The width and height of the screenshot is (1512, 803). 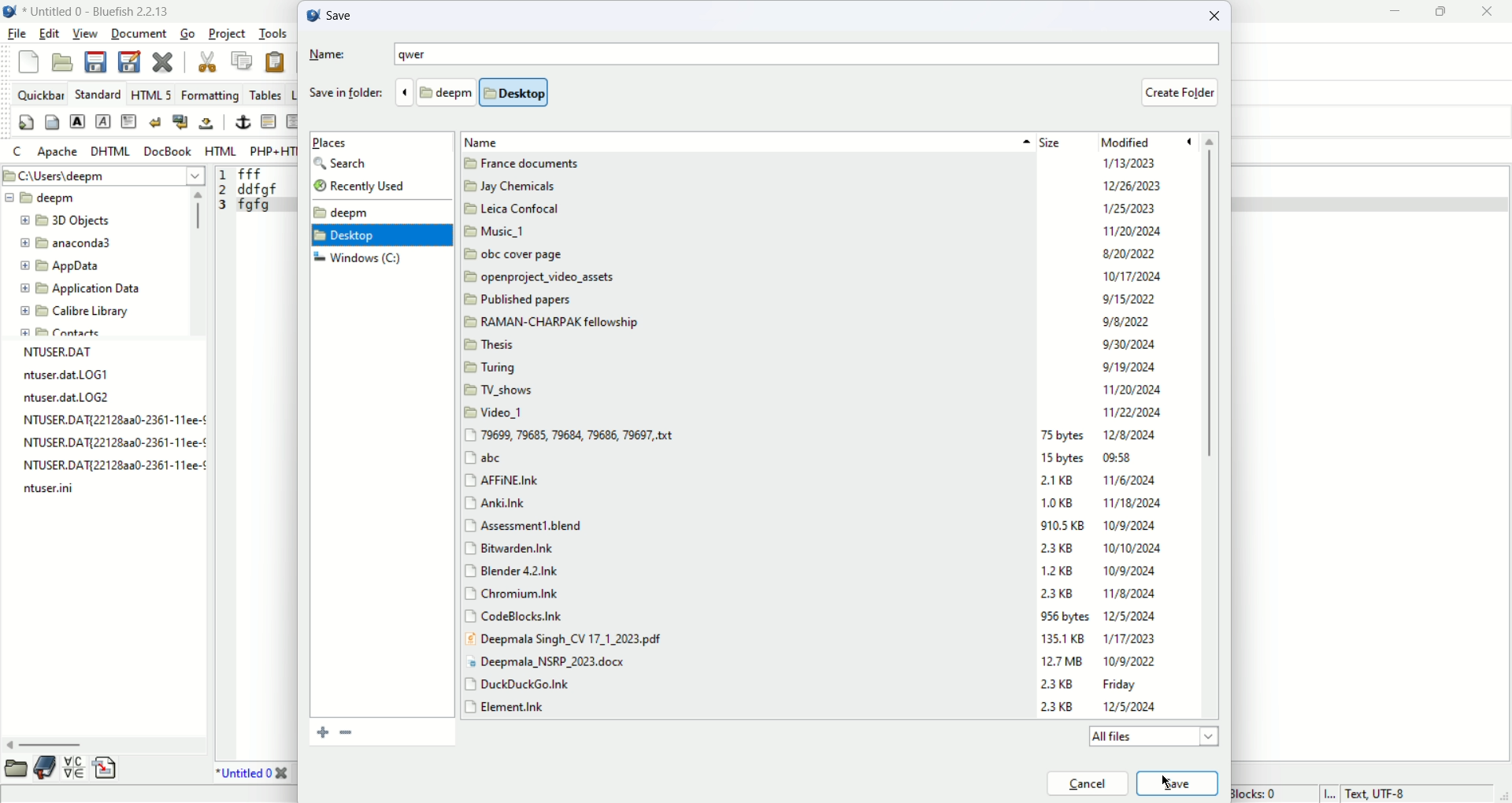 What do you see at coordinates (95, 61) in the screenshot?
I see `save current file` at bounding box center [95, 61].